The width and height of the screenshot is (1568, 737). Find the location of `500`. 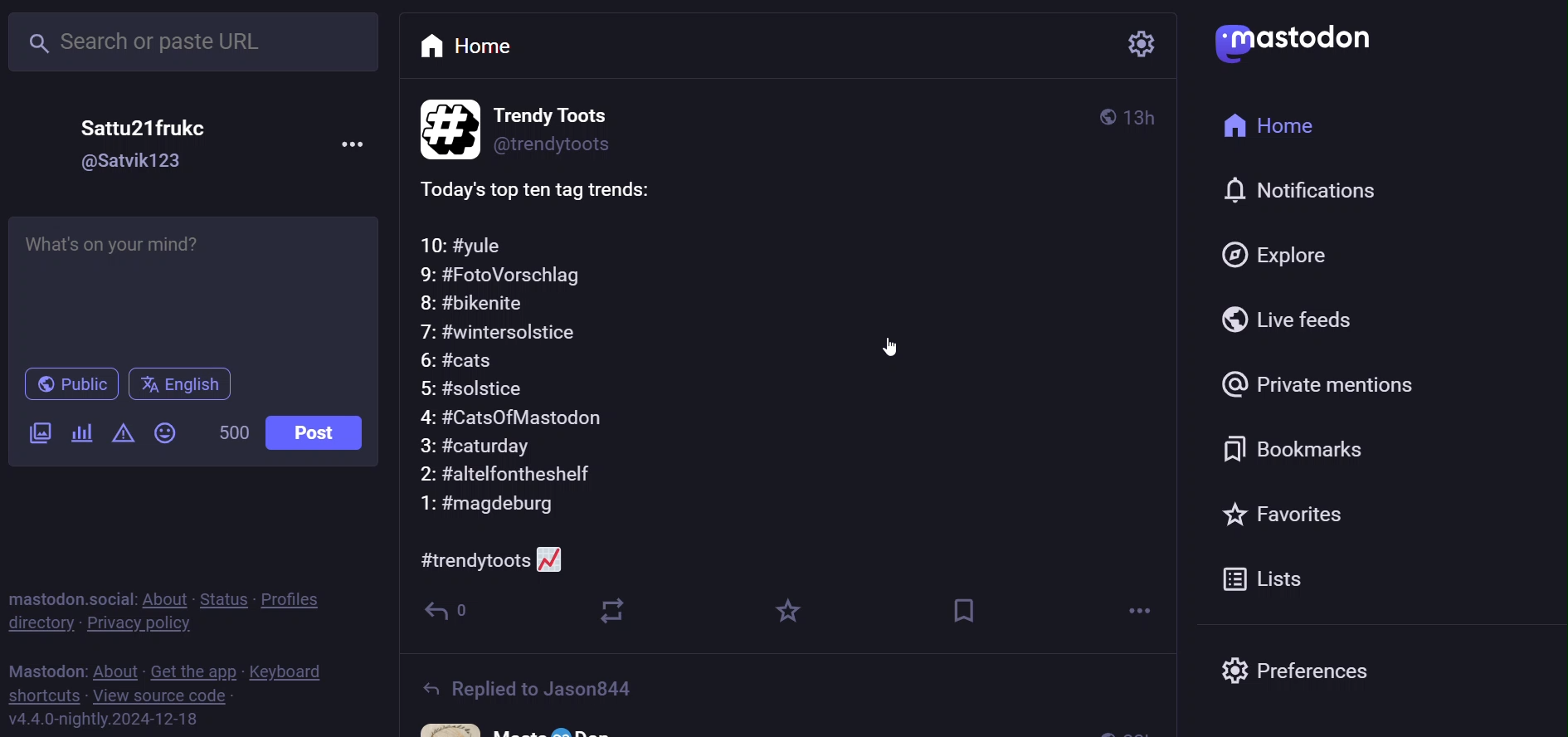

500 is located at coordinates (234, 431).